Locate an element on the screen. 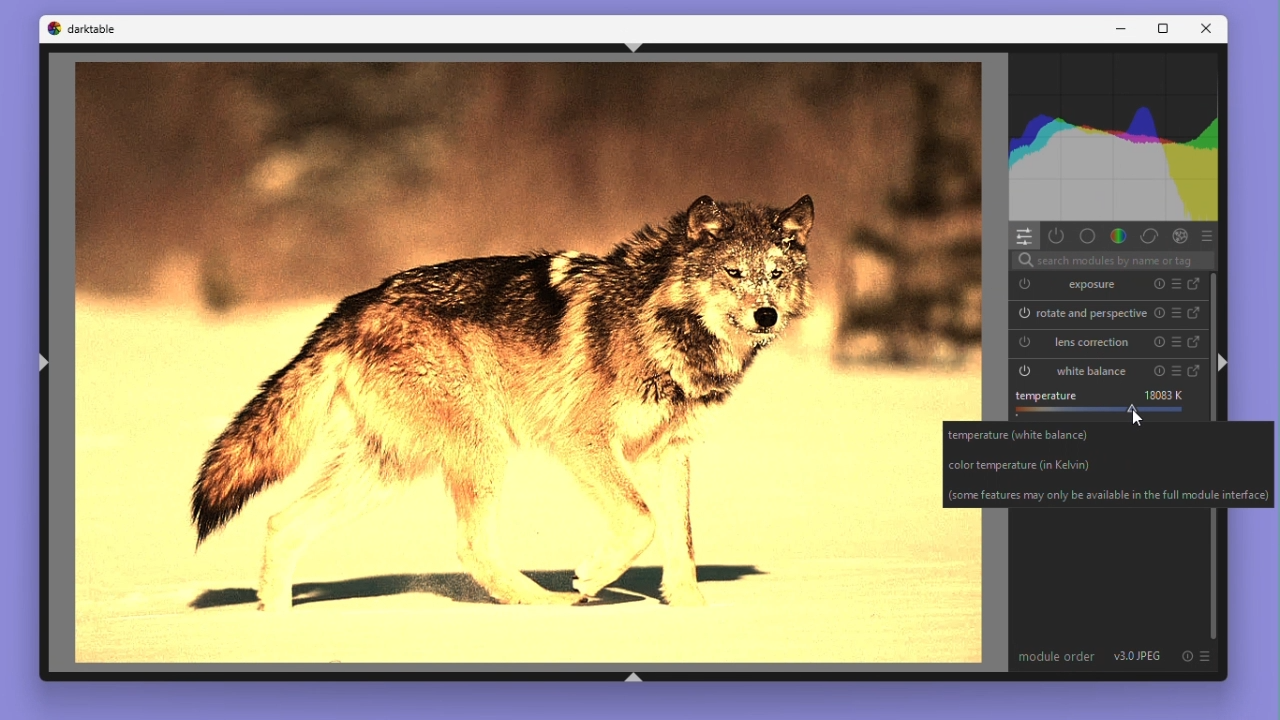  Minimise is located at coordinates (1123, 28).